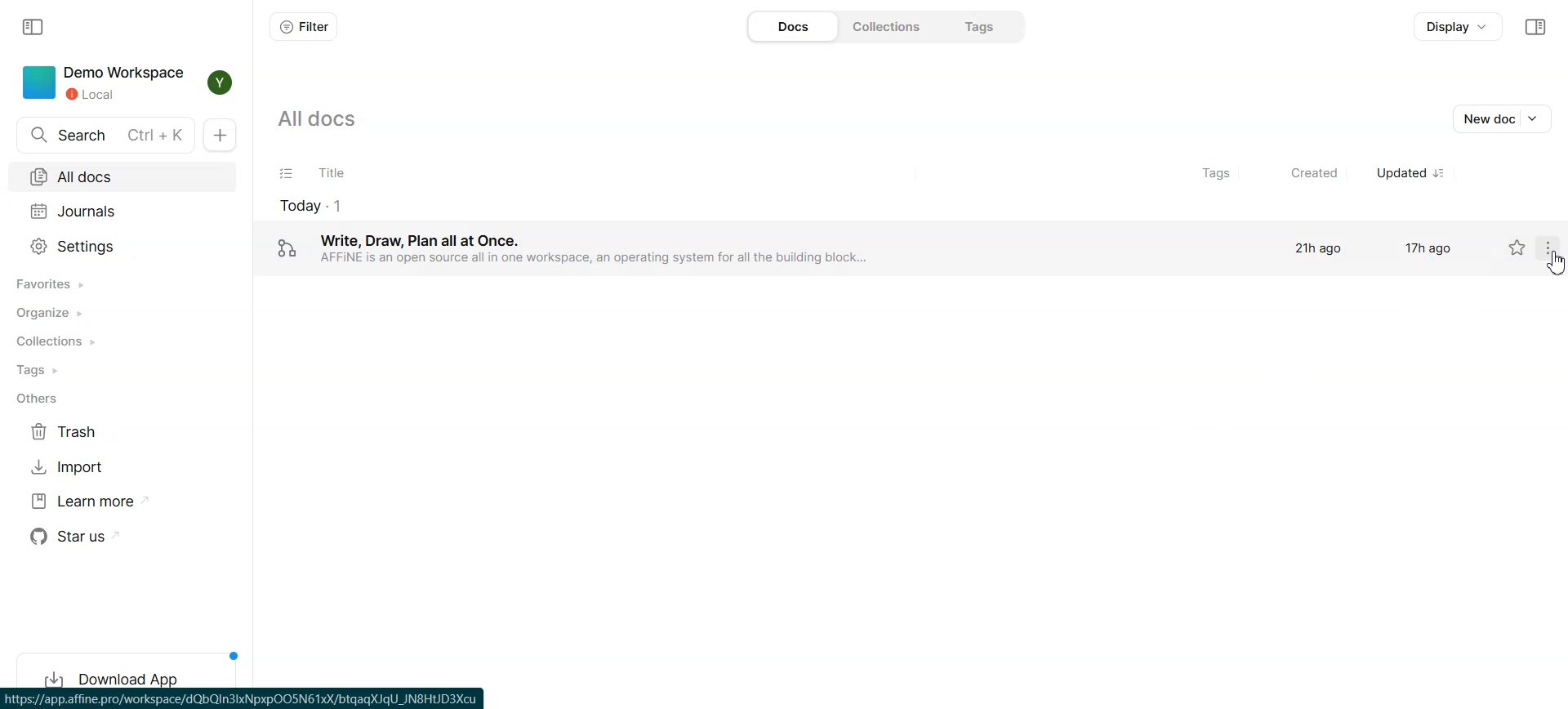 The height and width of the screenshot is (709, 1568). Describe the element at coordinates (1414, 172) in the screenshot. I see `Updated sorted` at that location.